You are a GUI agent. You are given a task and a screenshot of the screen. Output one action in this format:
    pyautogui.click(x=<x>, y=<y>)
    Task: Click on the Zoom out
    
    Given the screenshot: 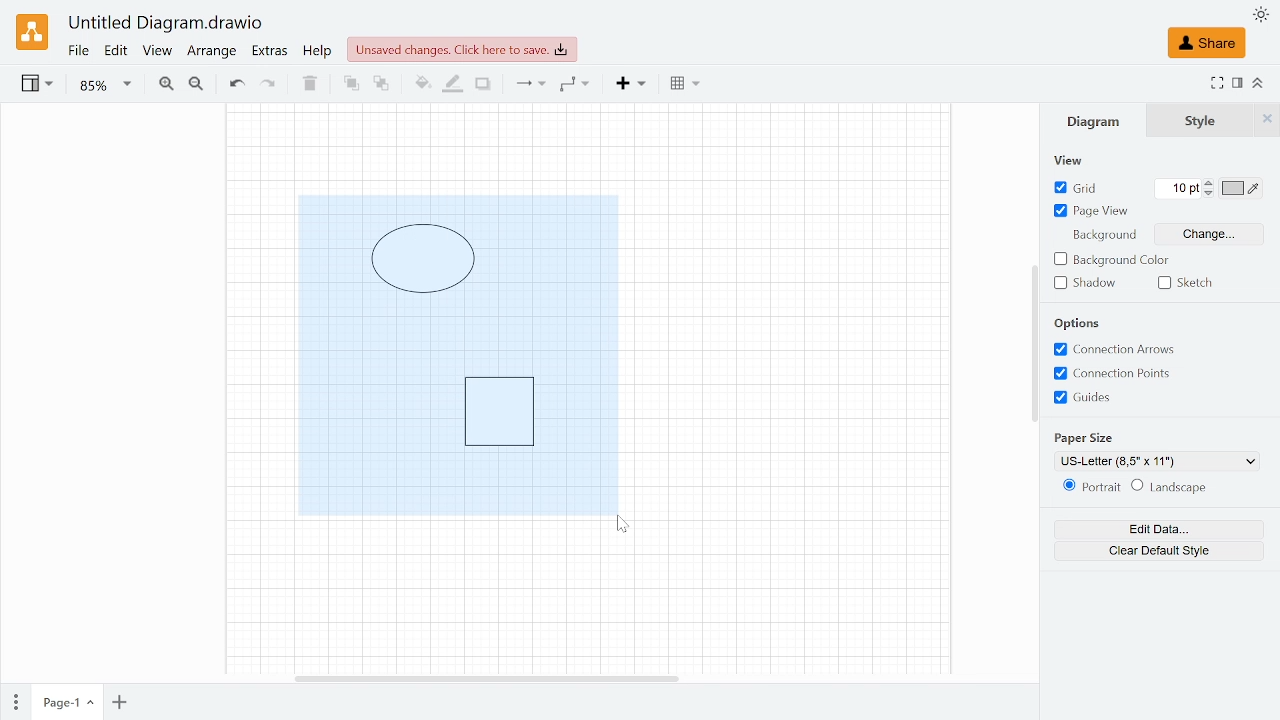 What is the action you would take?
    pyautogui.click(x=196, y=85)
    